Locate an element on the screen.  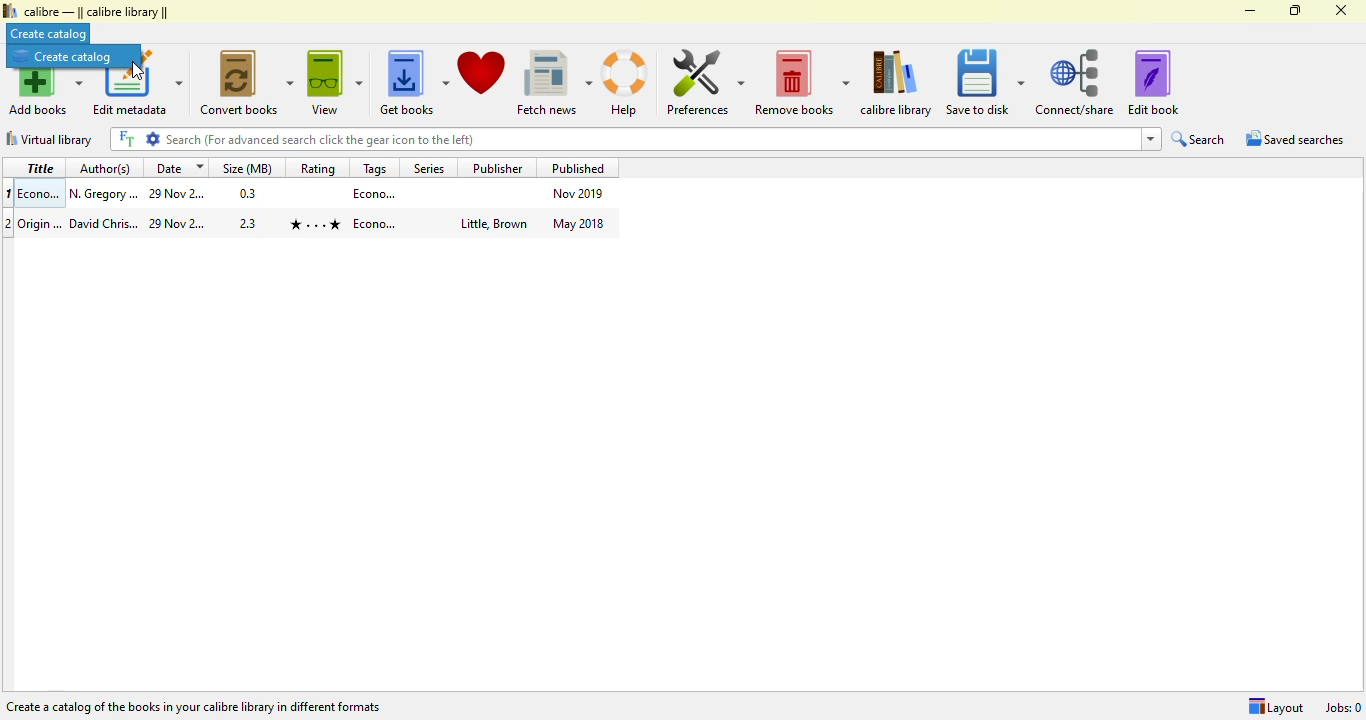
size(MB) is located at coordinates (248, 169).